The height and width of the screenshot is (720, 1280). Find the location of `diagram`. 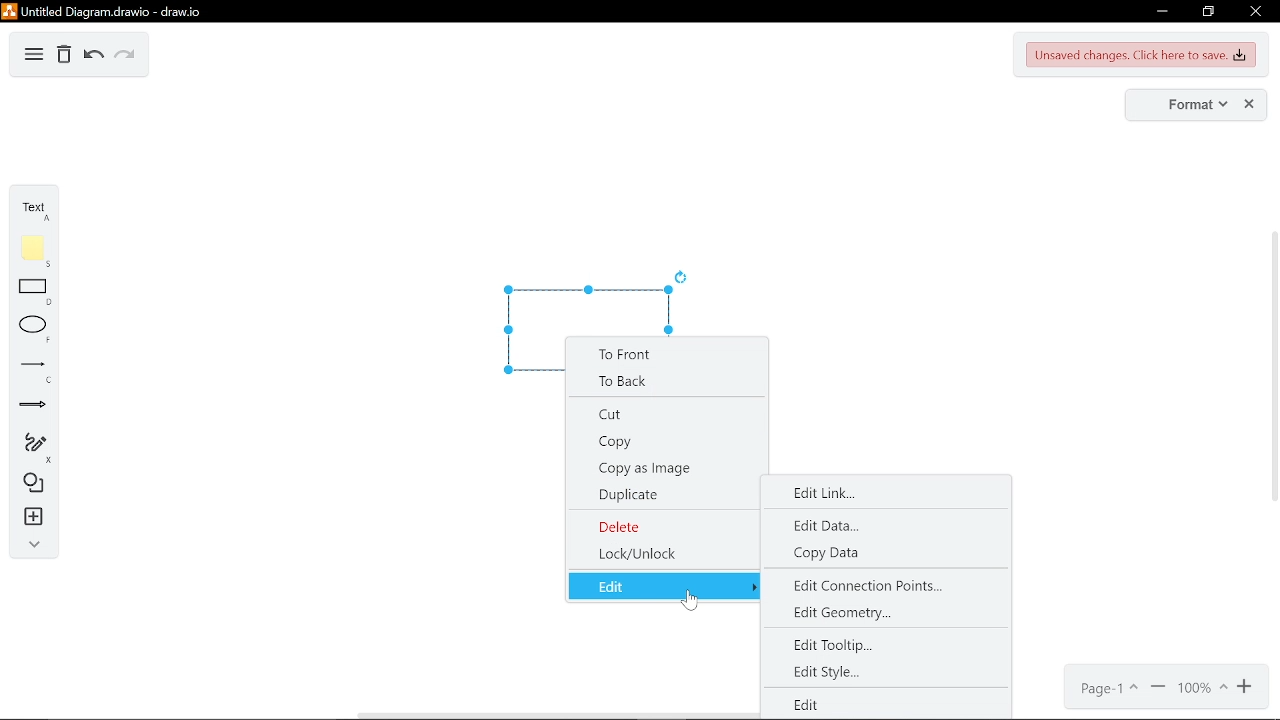

diagram is located at coordinates (34, 56).